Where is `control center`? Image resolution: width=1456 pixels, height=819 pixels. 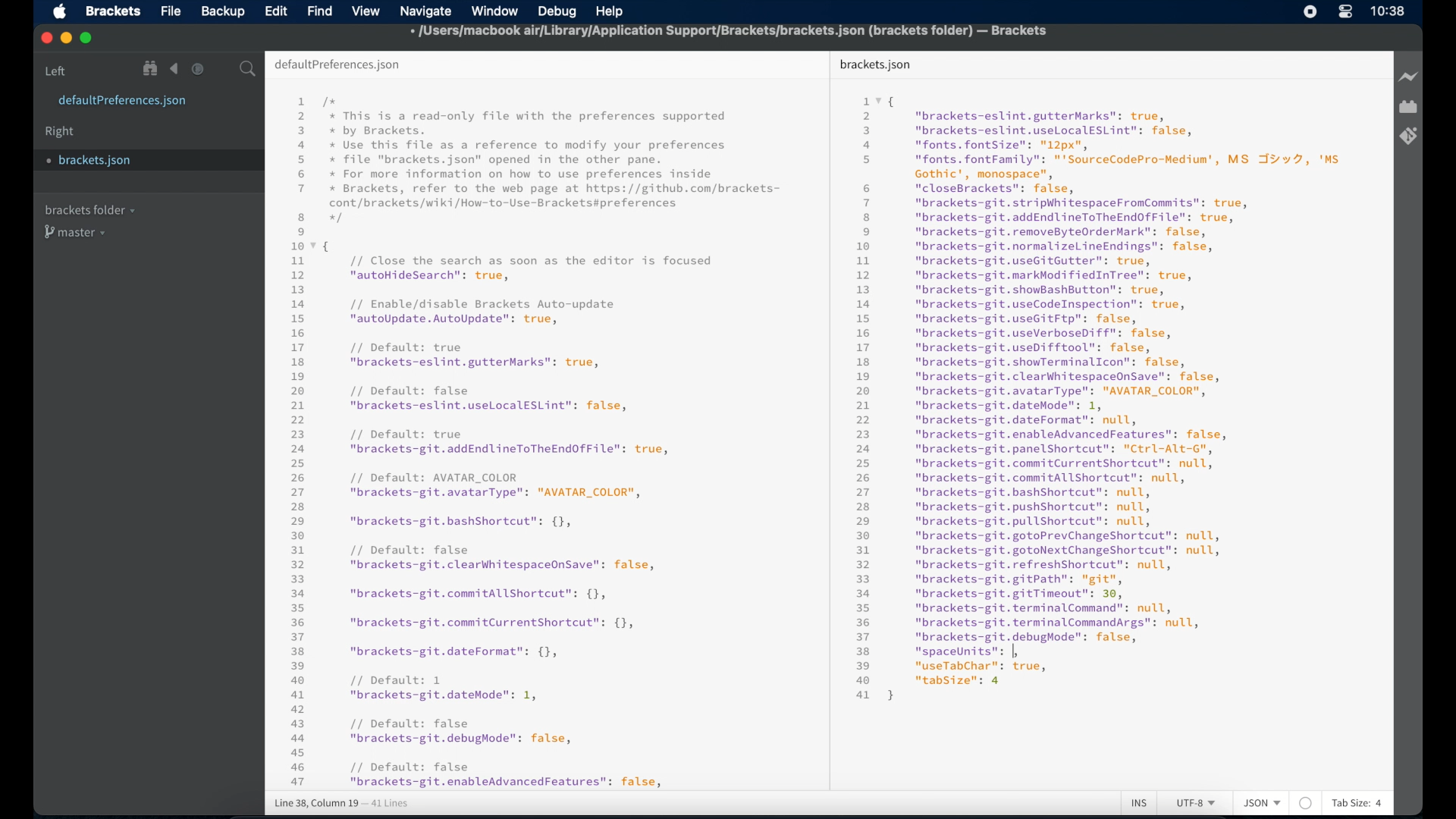 control center is located at coordinates (1345, 11).